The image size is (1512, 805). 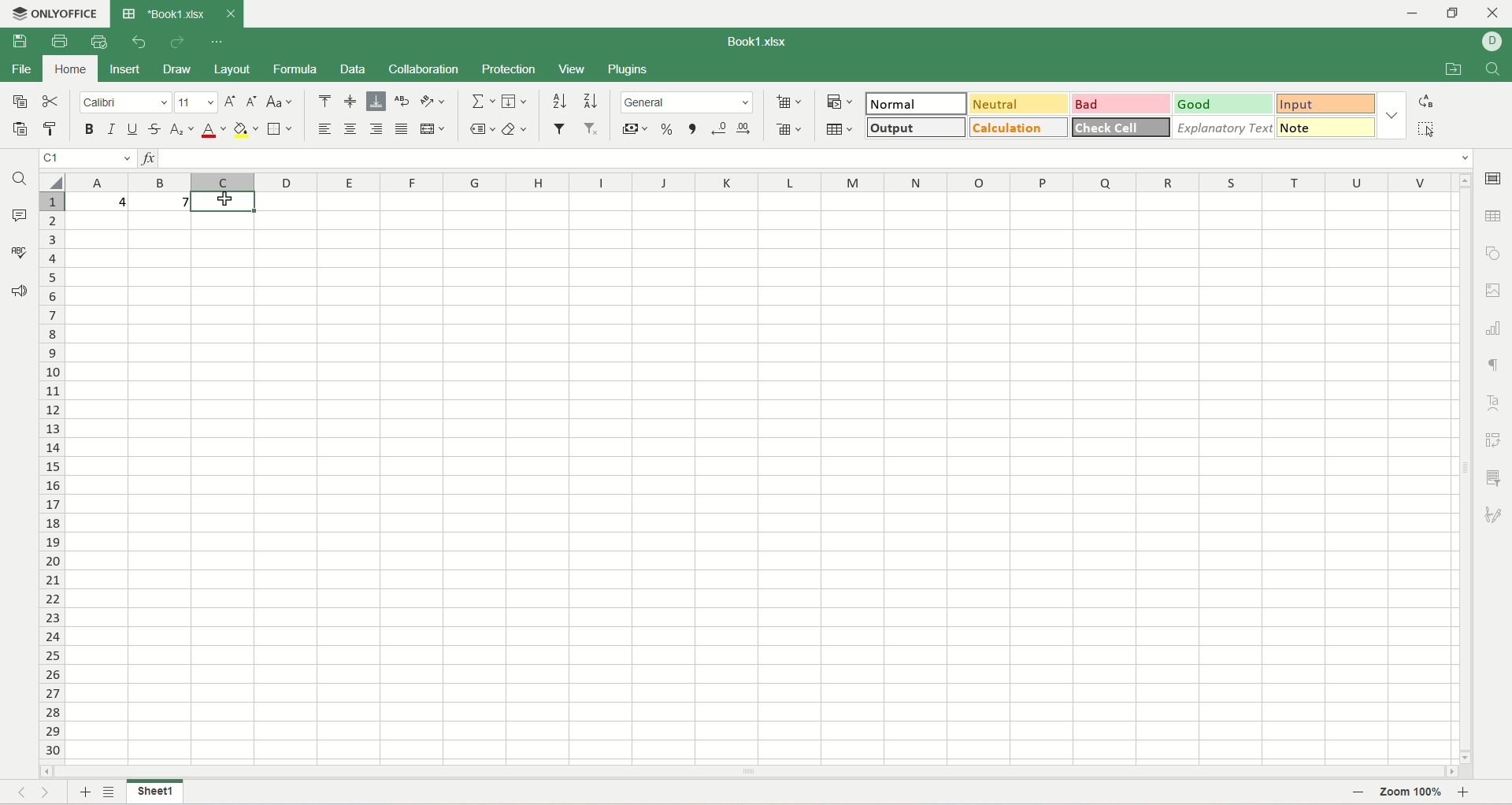 I want to click on username, so click(x=1492, y=43).